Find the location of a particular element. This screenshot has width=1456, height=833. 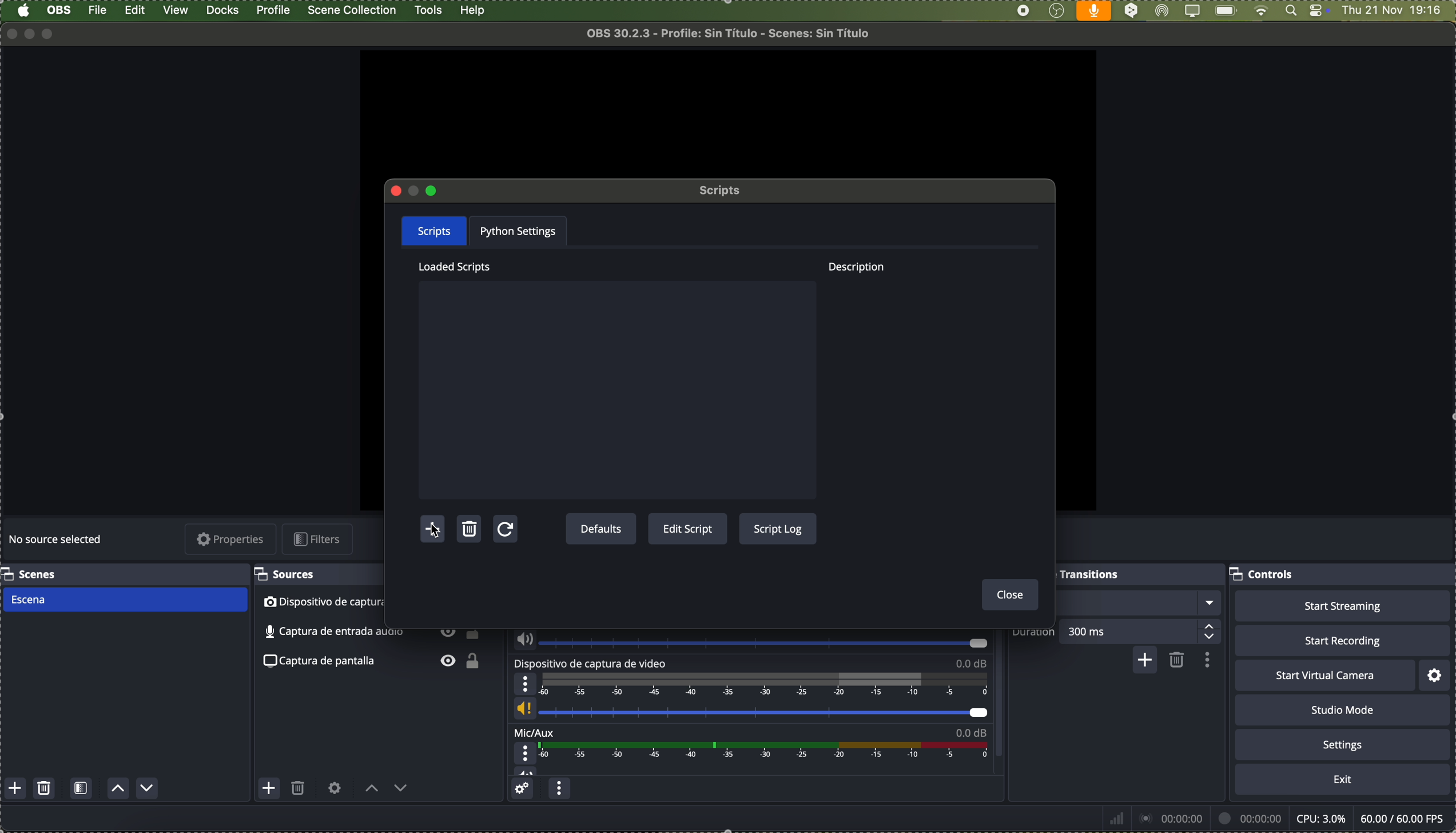

fade is located at coordinates (1137, 603).